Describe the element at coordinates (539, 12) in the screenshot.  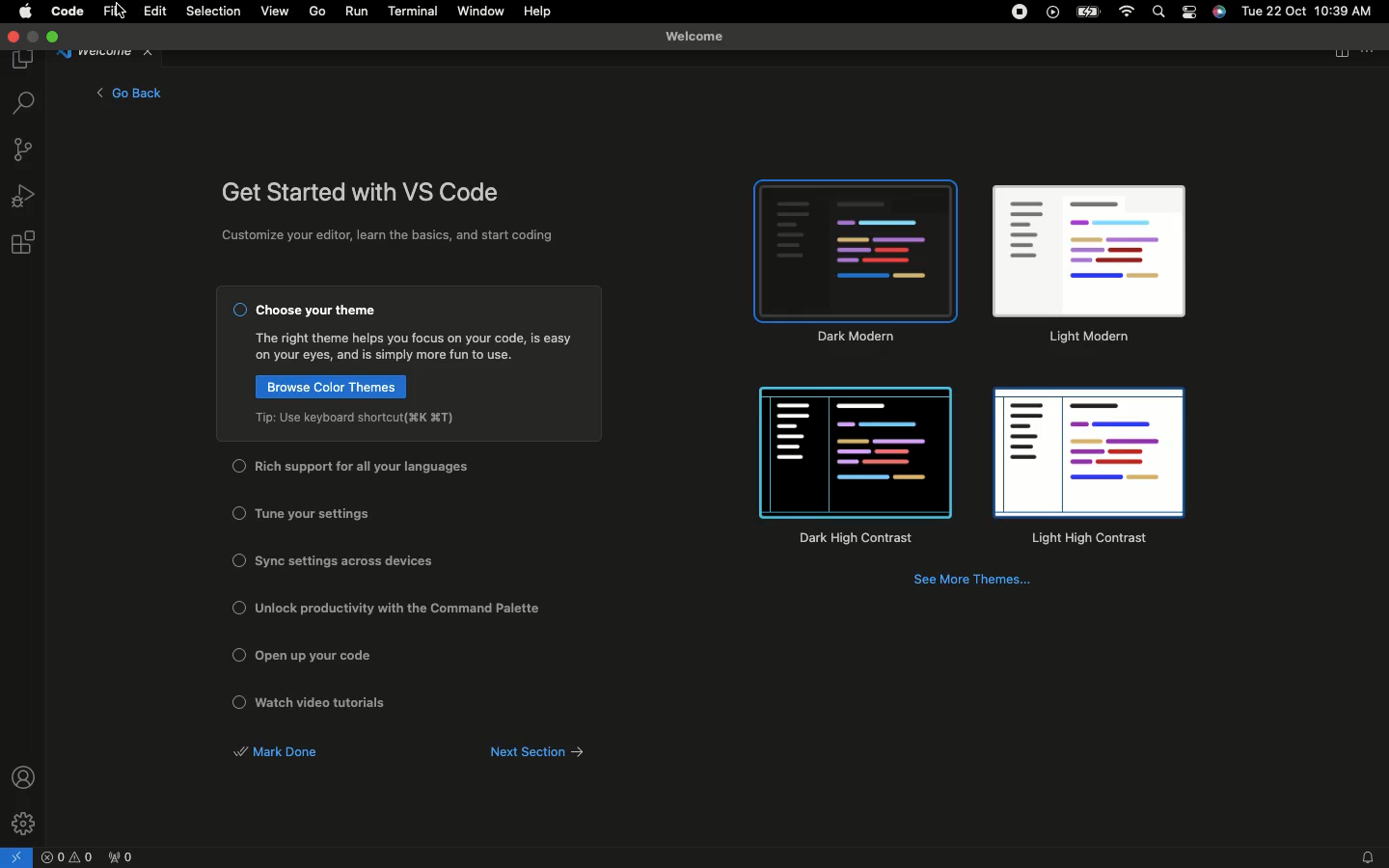
I see `Help` at that location.